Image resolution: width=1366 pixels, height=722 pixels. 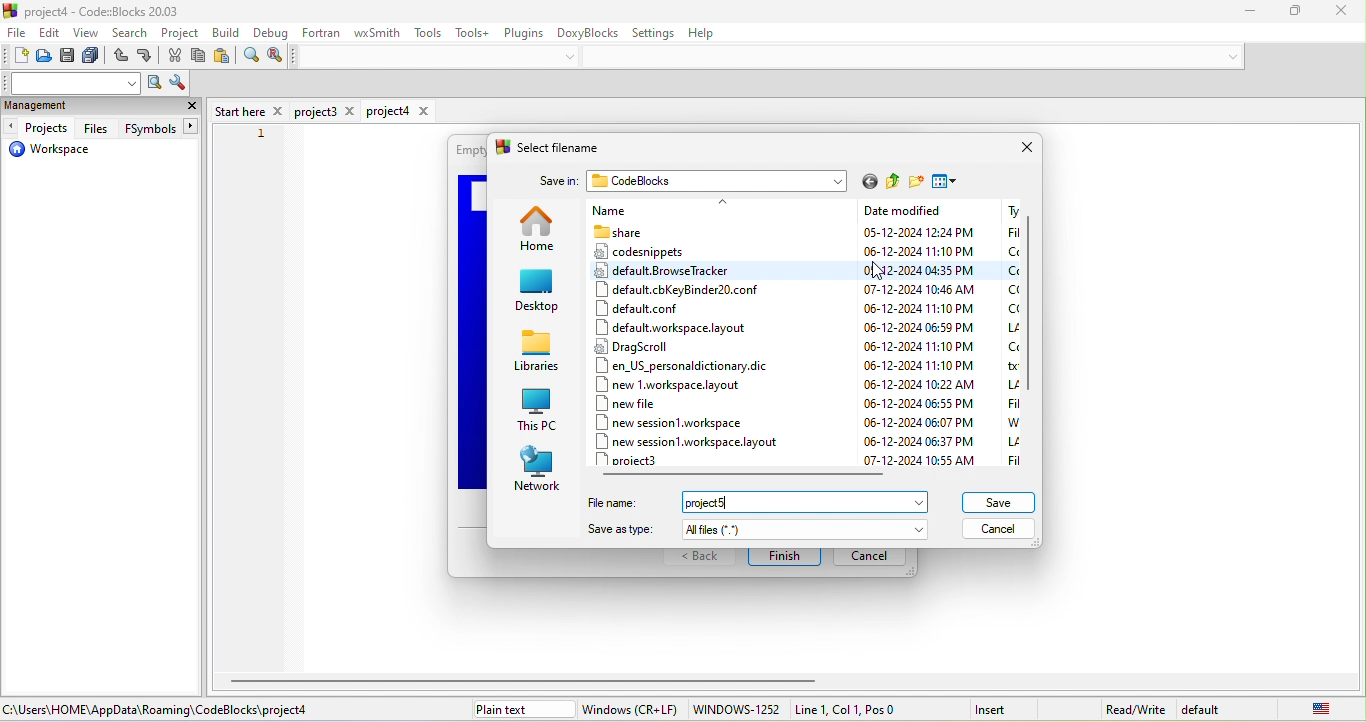 I want to click on go to last folder visit, so click(x=866, y=181).